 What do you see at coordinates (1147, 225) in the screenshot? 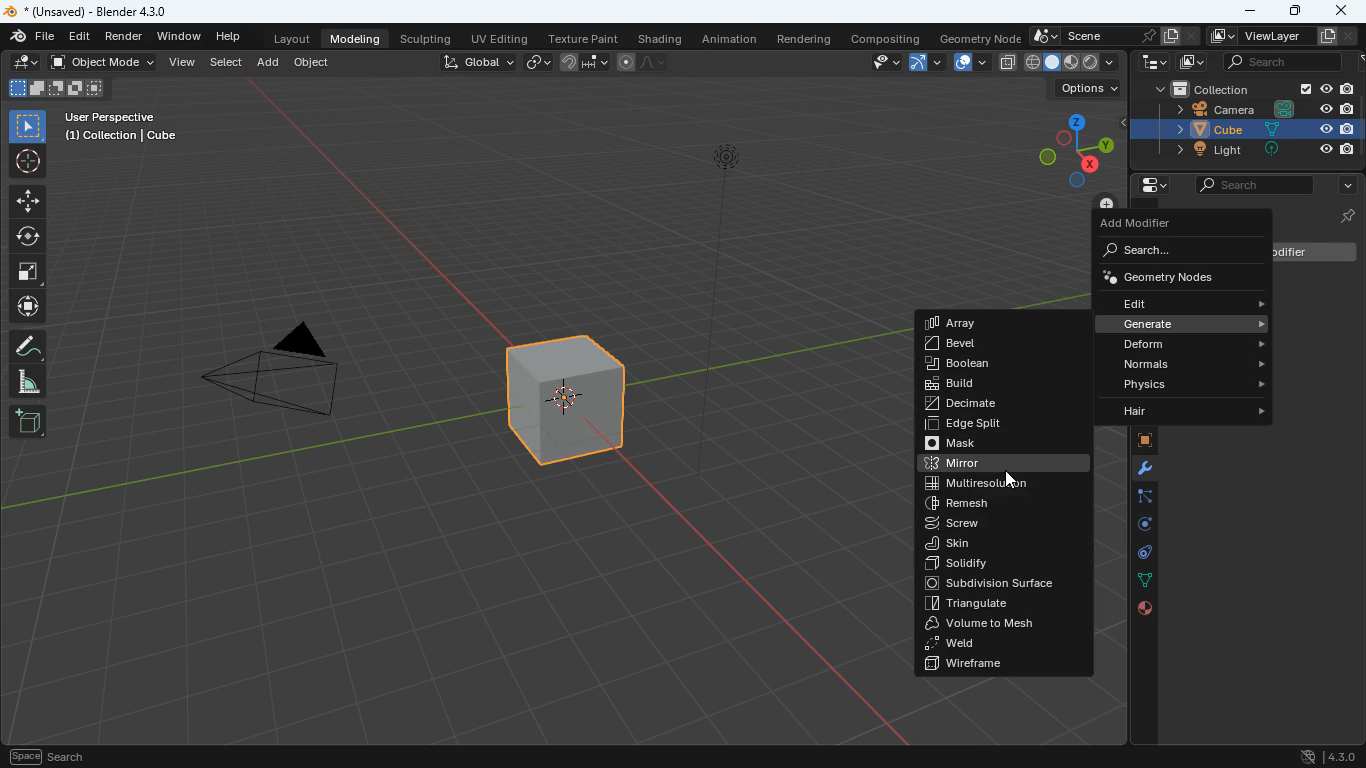
I see `add modifier` at bounding box center [1147, 225].